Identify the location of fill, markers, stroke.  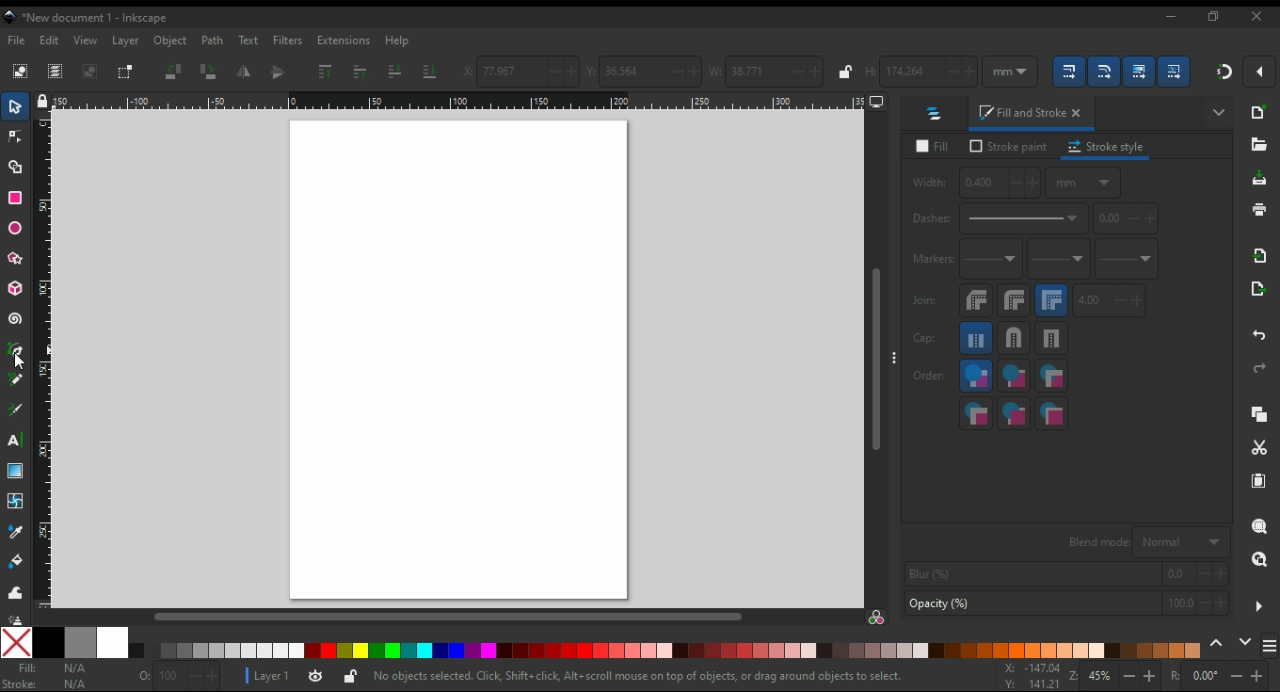
(1051, 375).